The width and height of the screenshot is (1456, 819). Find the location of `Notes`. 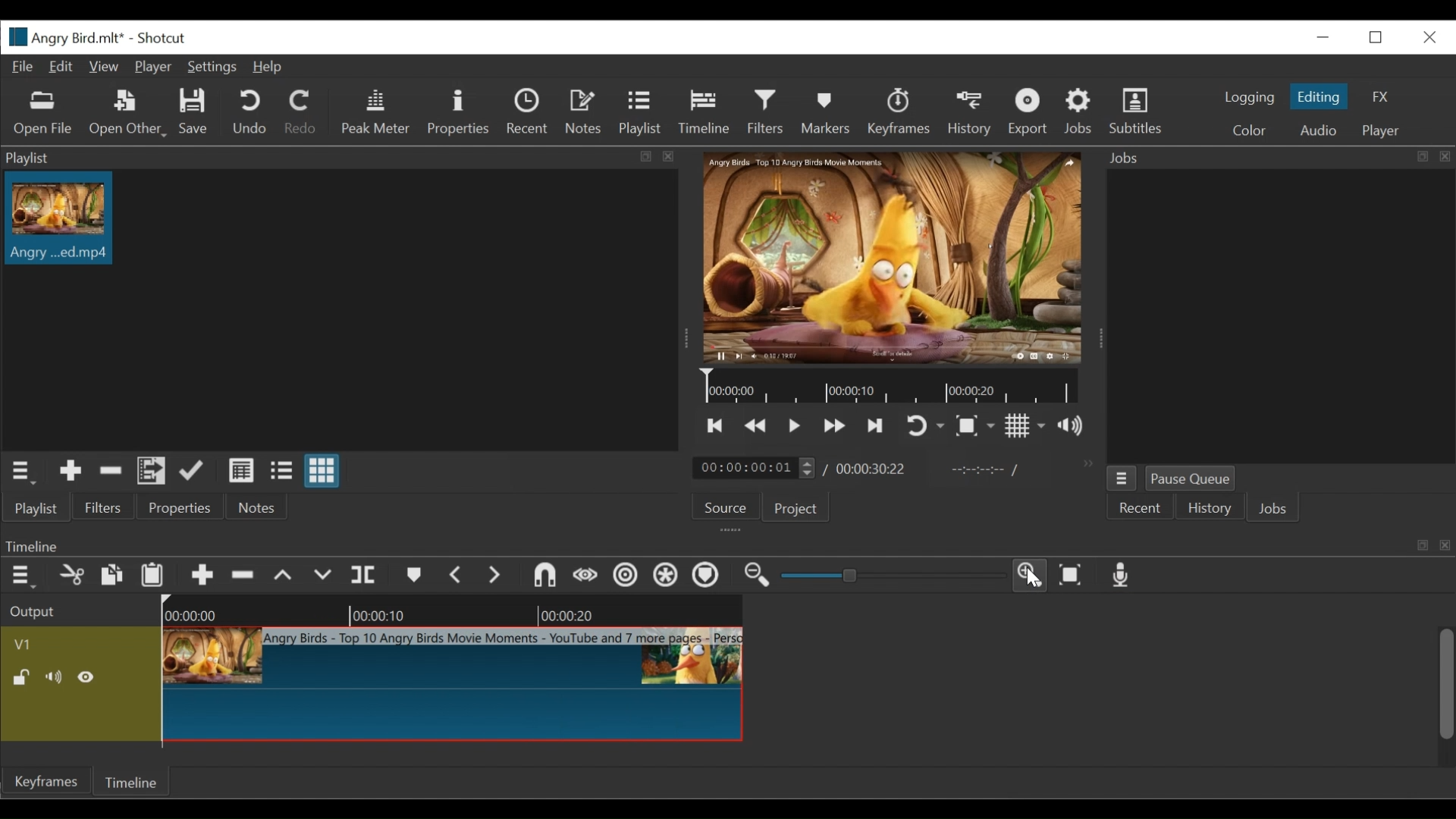

Notes is located at coordinates (254, 509).